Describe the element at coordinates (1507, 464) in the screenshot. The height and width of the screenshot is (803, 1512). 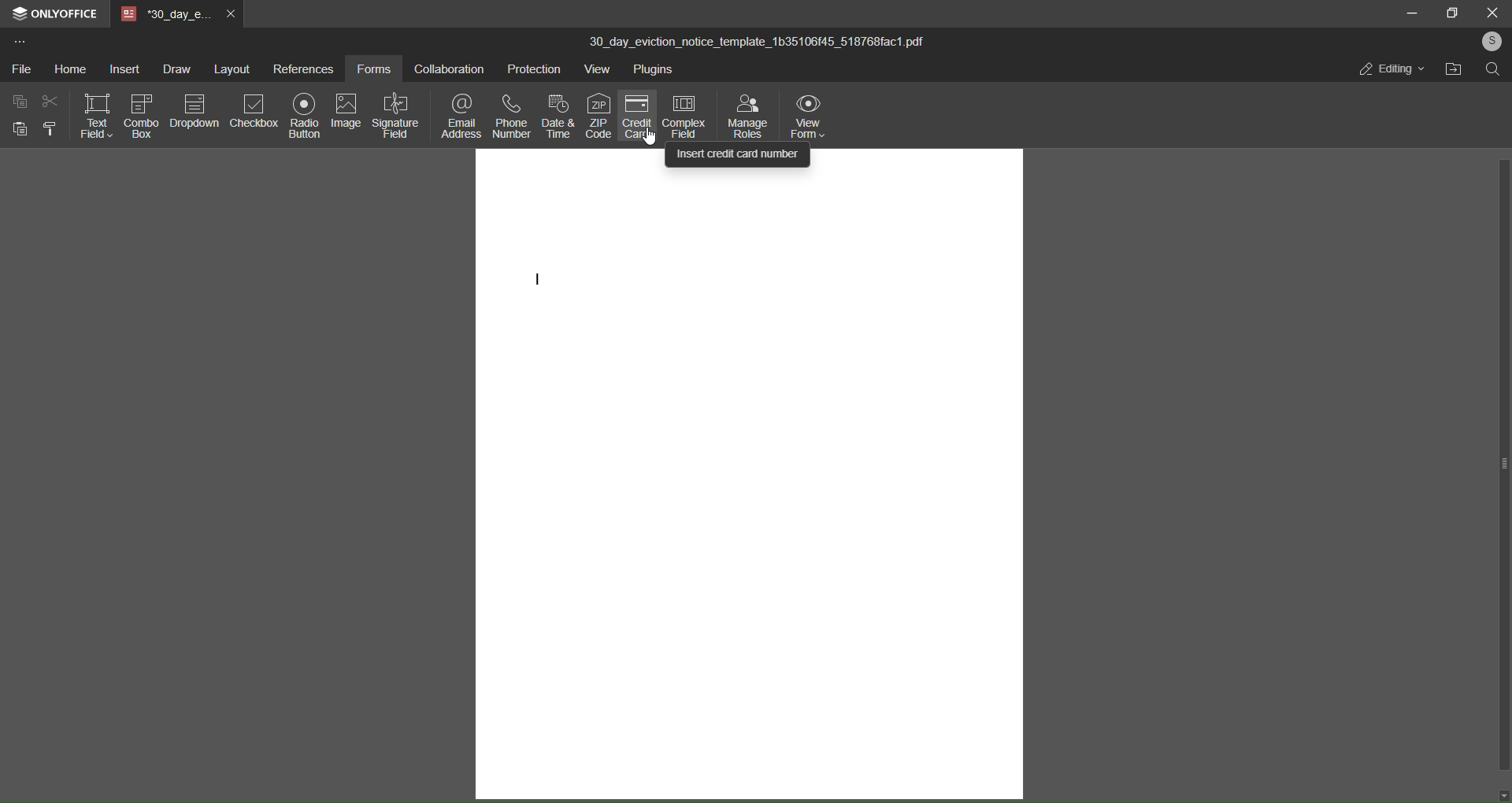
I see `scroll bar` at that location.